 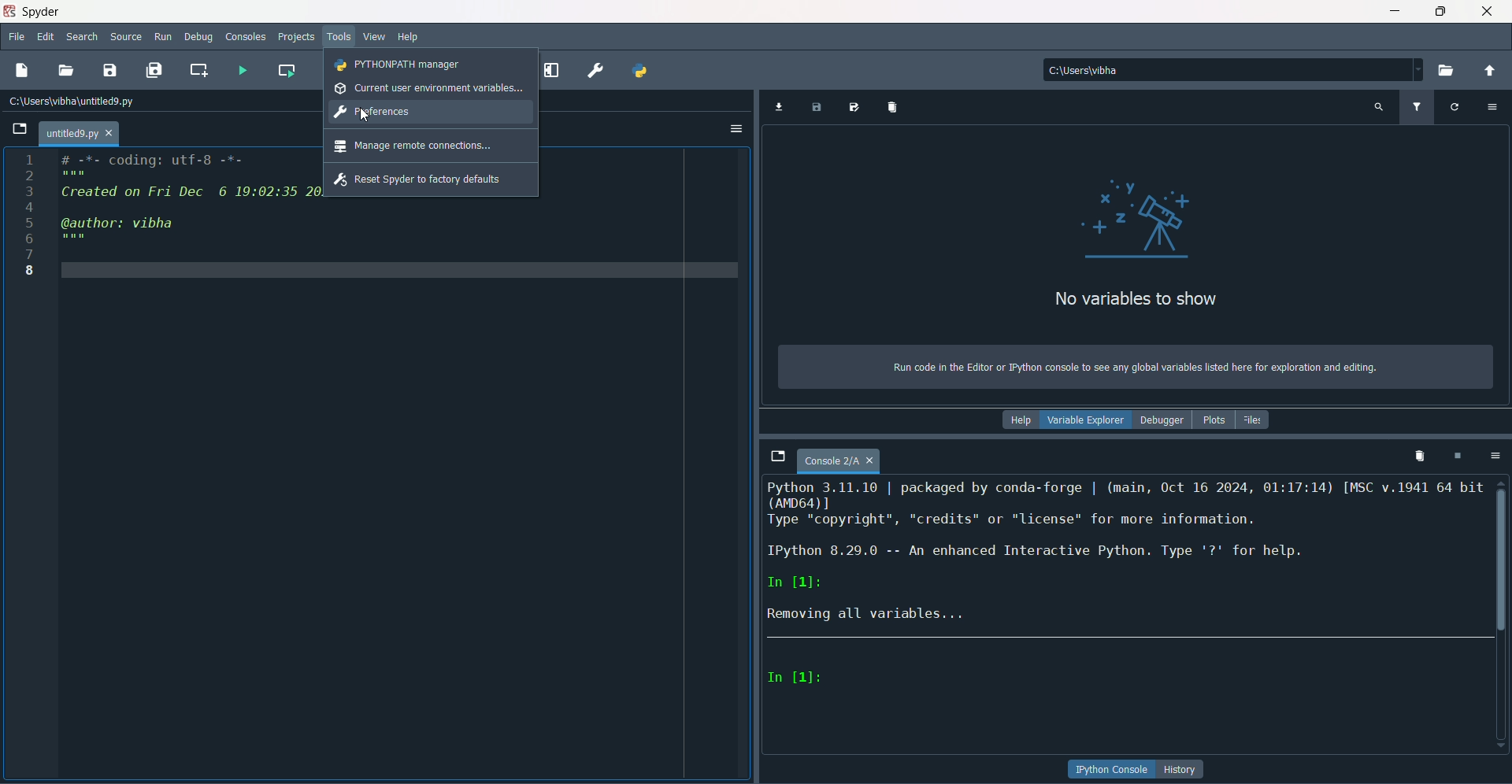 What do you see at coordinates (67, 71) in the screenshot?
I see `open file` at bounding box center [67, 71].